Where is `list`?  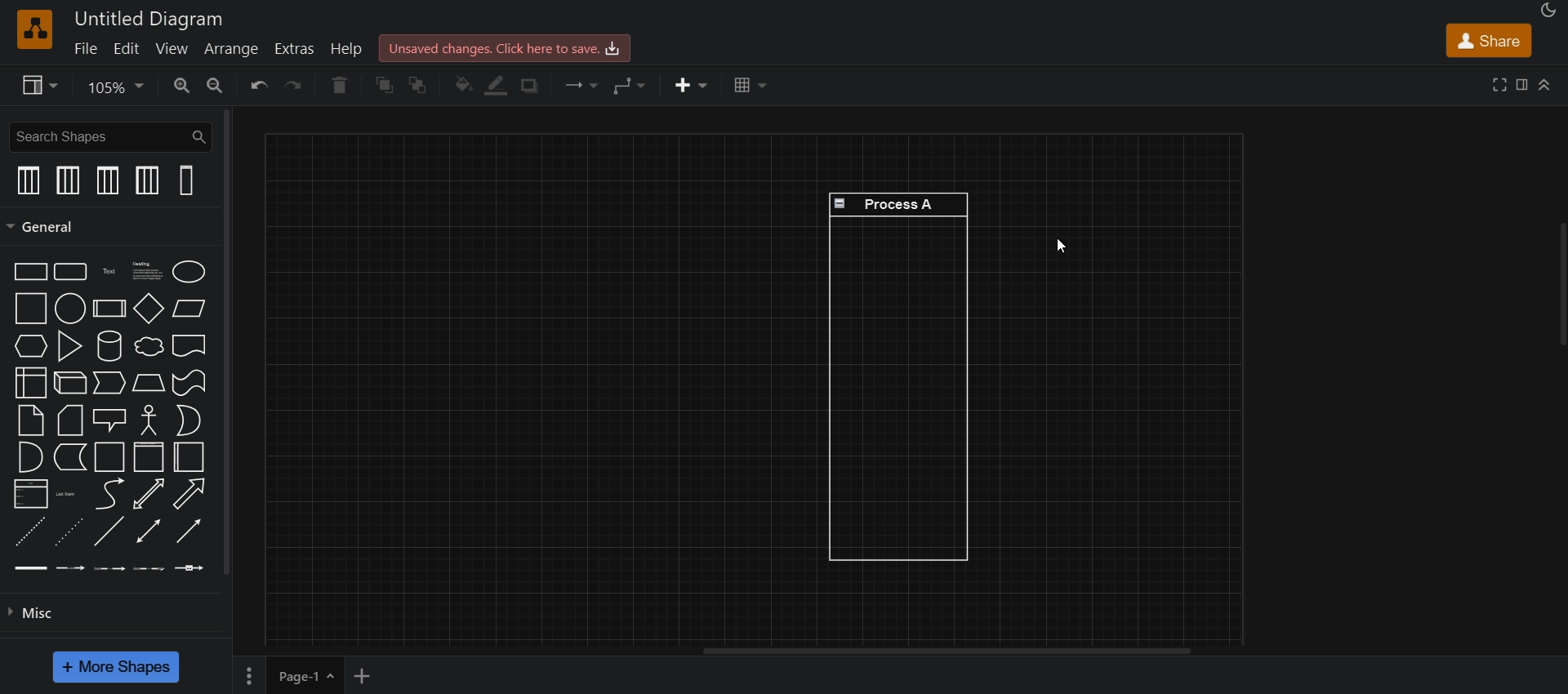
list is located at coordinates (28, 494).